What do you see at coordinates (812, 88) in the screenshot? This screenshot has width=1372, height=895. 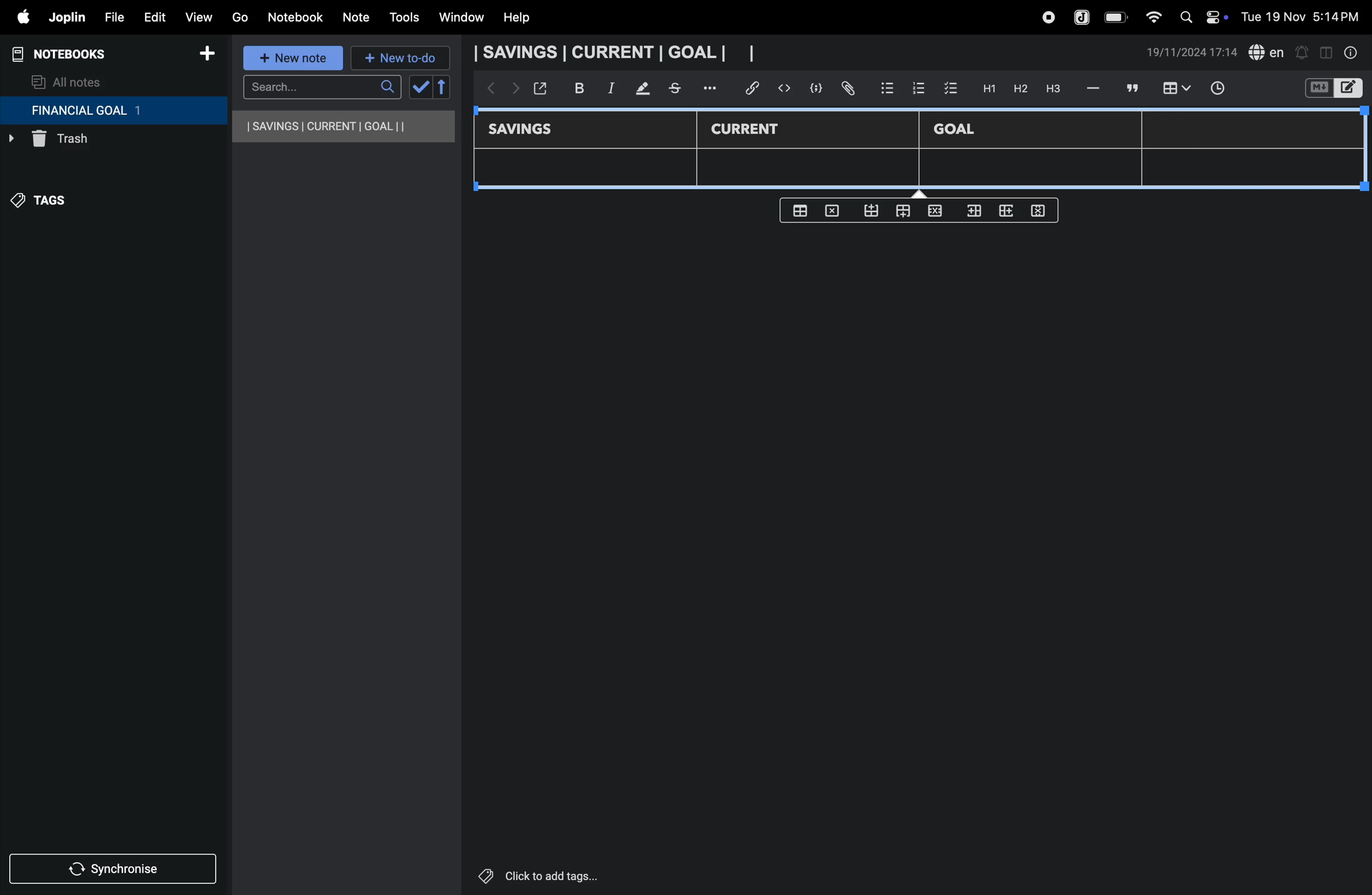 I see `code block` at bounding box center [812, 88].